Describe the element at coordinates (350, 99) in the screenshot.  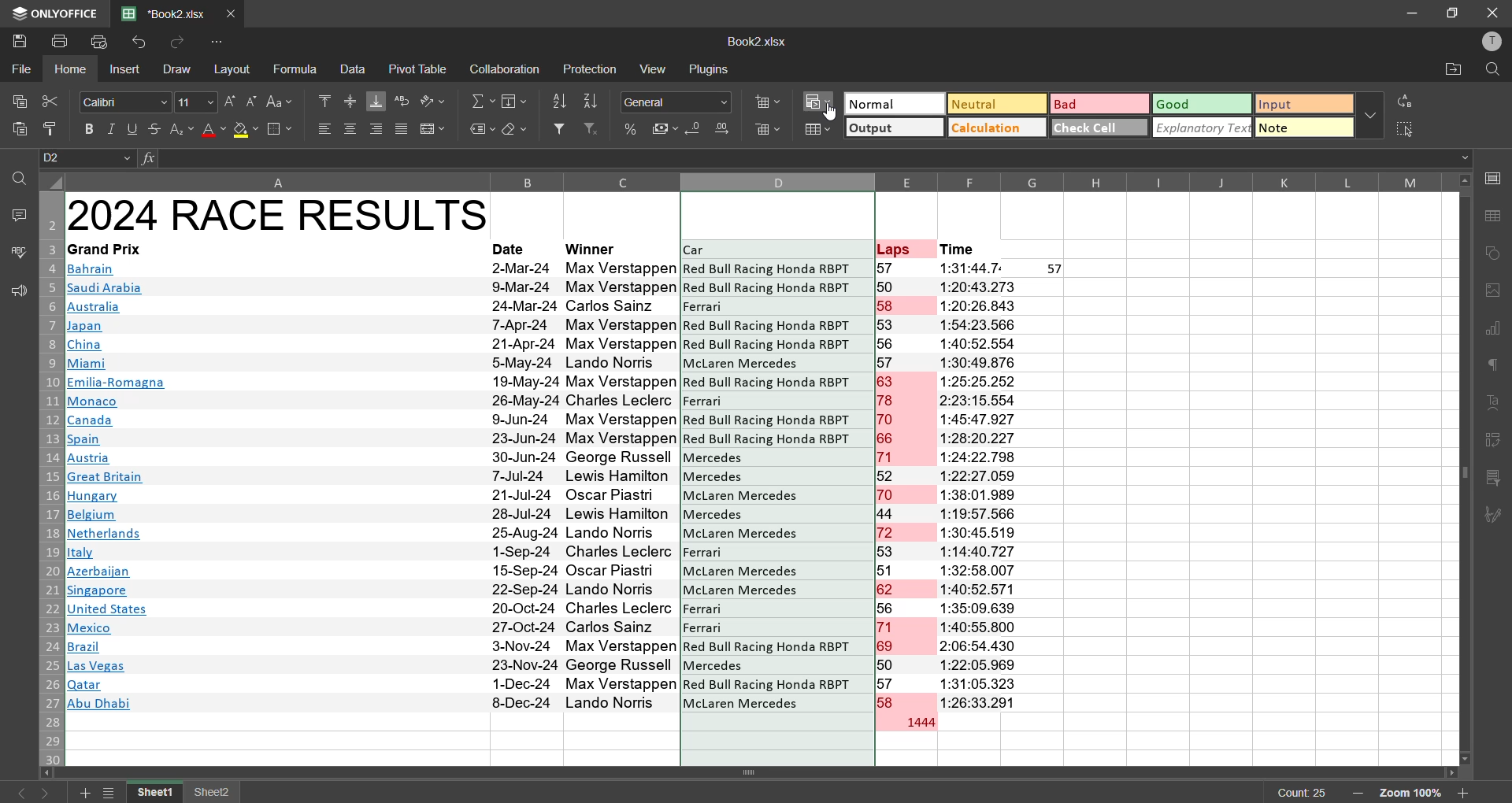
I see `align middle` at that location.